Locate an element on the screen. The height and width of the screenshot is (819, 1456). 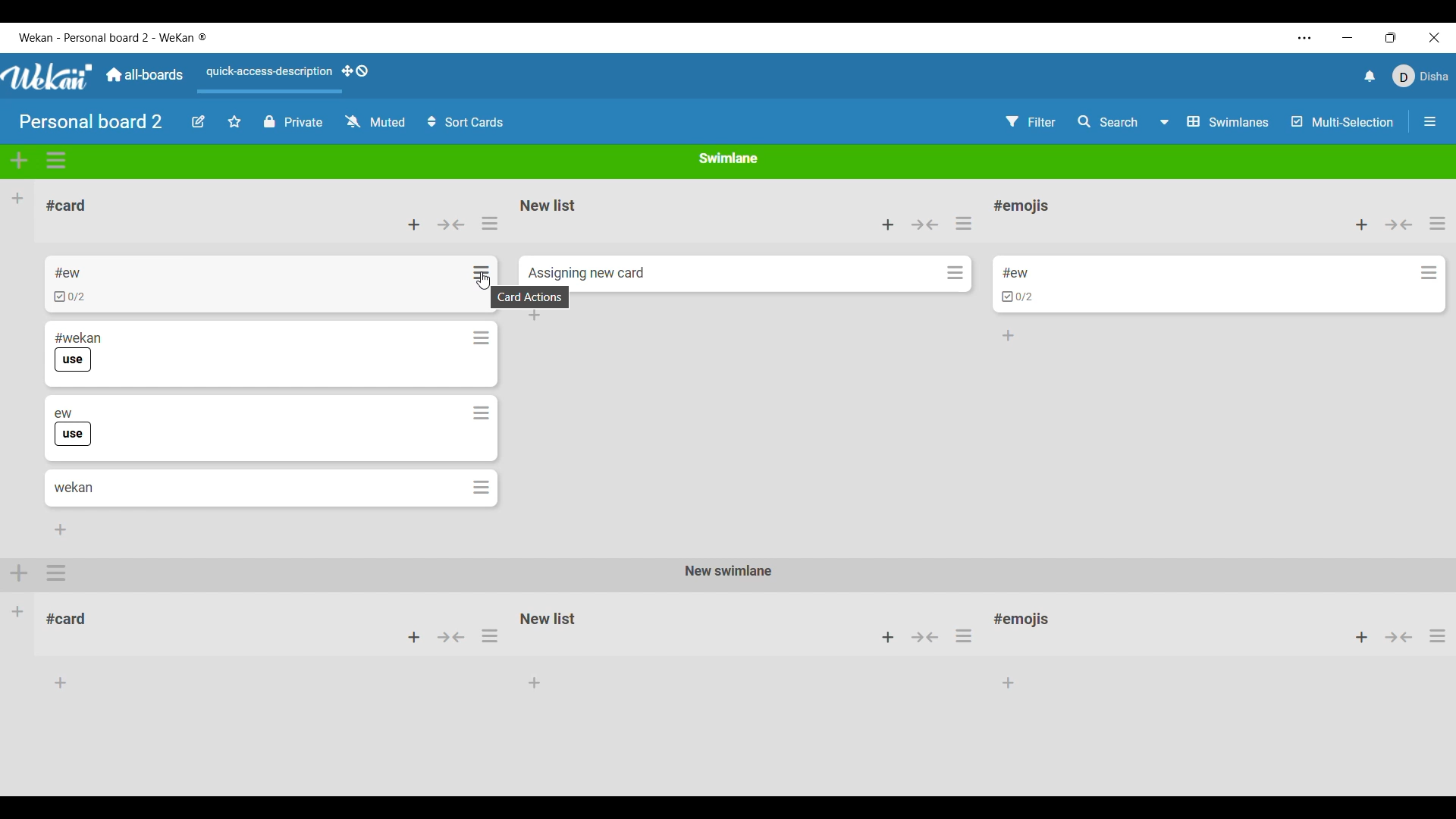
Collapse is located at coordinates (450, 224).